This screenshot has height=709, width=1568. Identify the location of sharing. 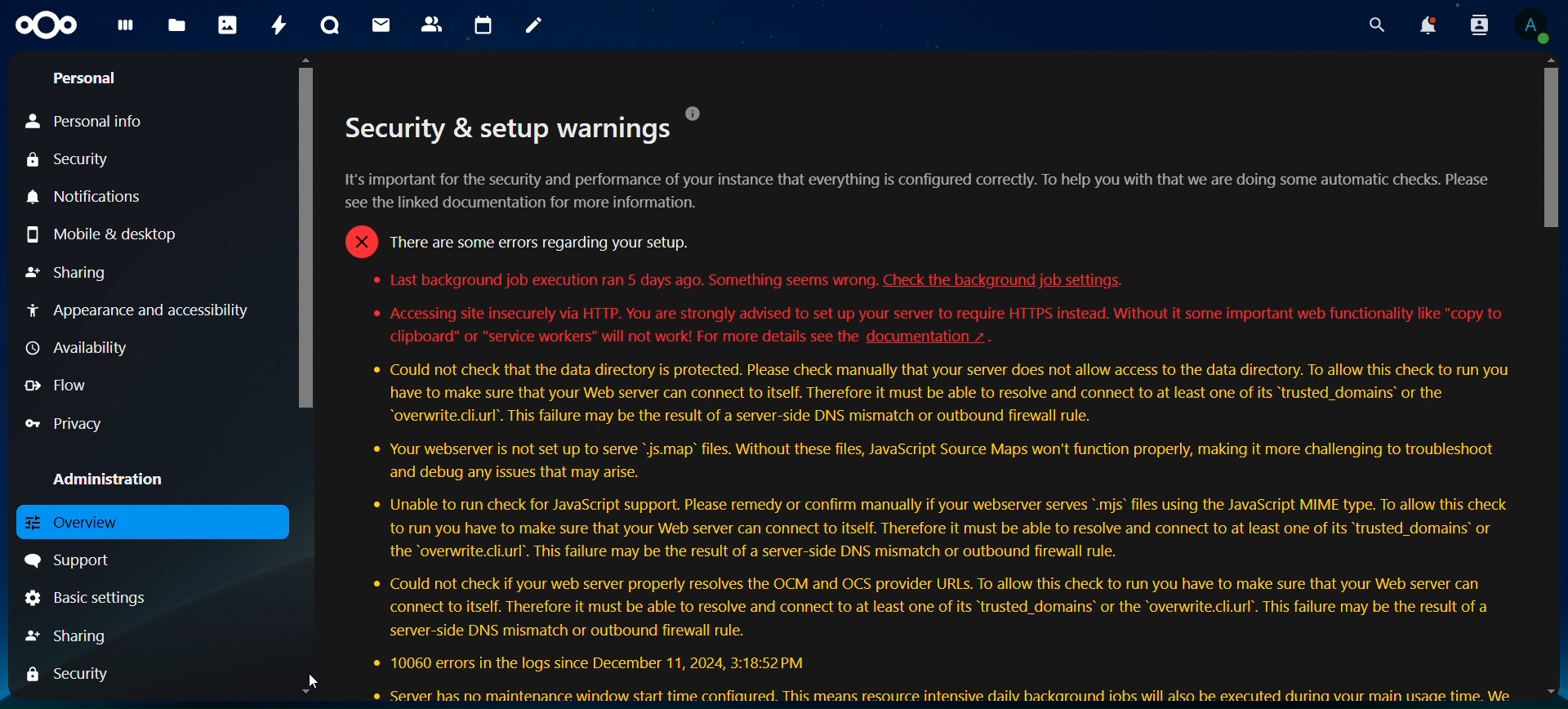
(70, 272).